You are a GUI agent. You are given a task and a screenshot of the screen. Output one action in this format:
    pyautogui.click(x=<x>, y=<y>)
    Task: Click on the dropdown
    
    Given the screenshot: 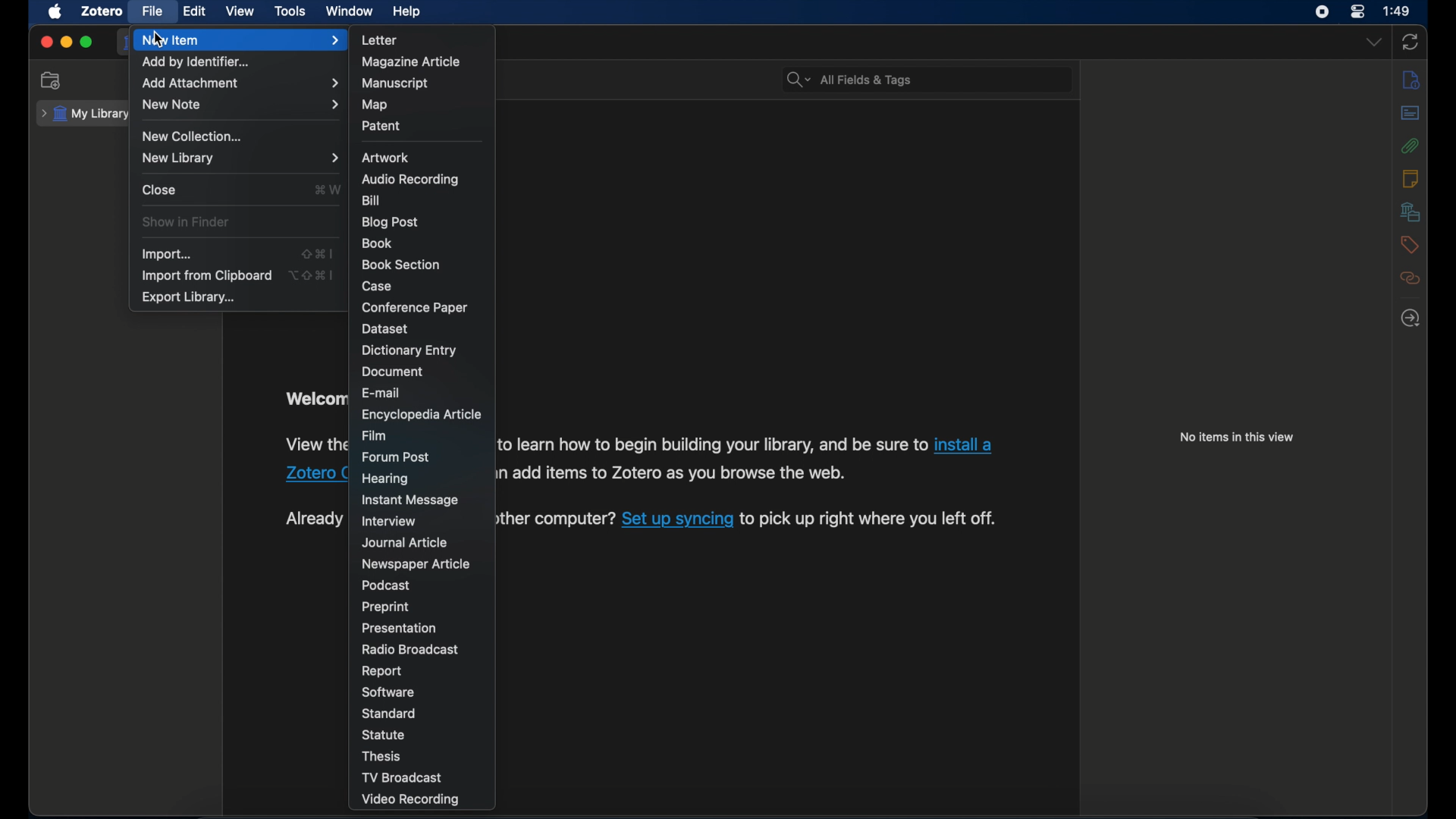 What is the action you would take?
    pyautogui.click(x=1375, y=42)
    